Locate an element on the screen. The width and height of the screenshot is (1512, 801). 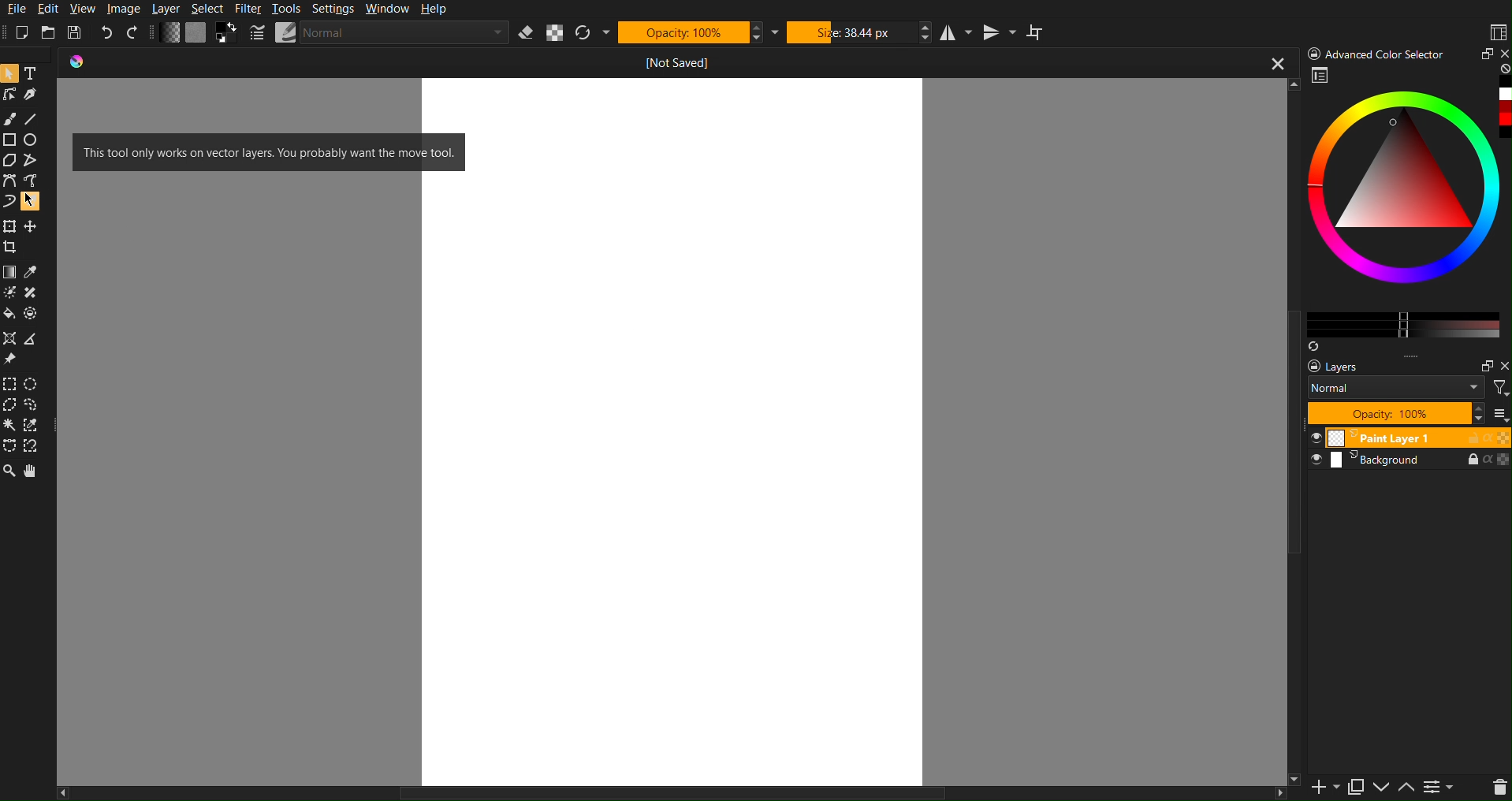
close is located at coordinates (1276, 65).